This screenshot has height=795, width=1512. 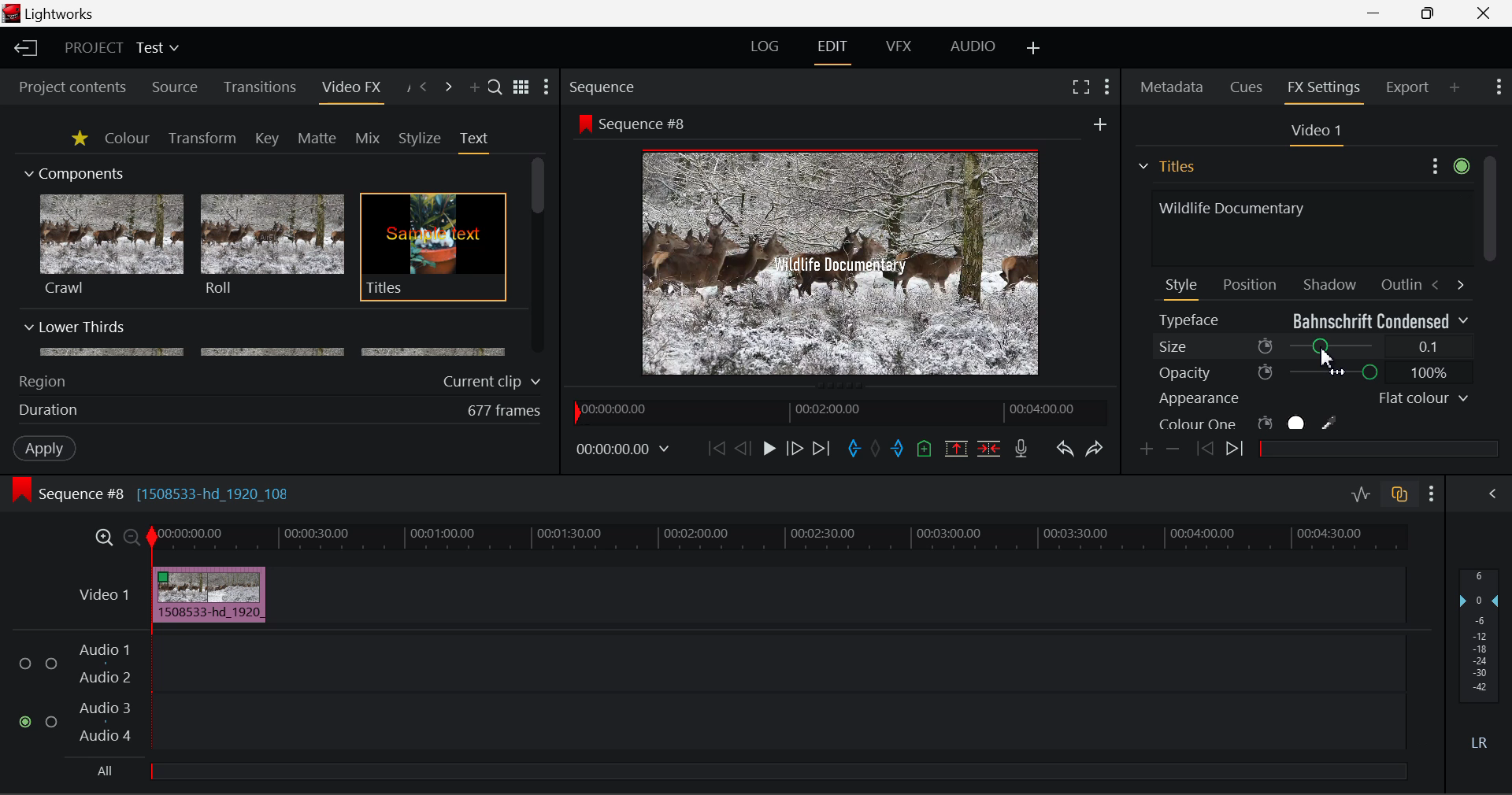 What do you see at coordinates (478, 142) in the screenshot?
I see `Text Tab Open` at bounding box center [478, 142].